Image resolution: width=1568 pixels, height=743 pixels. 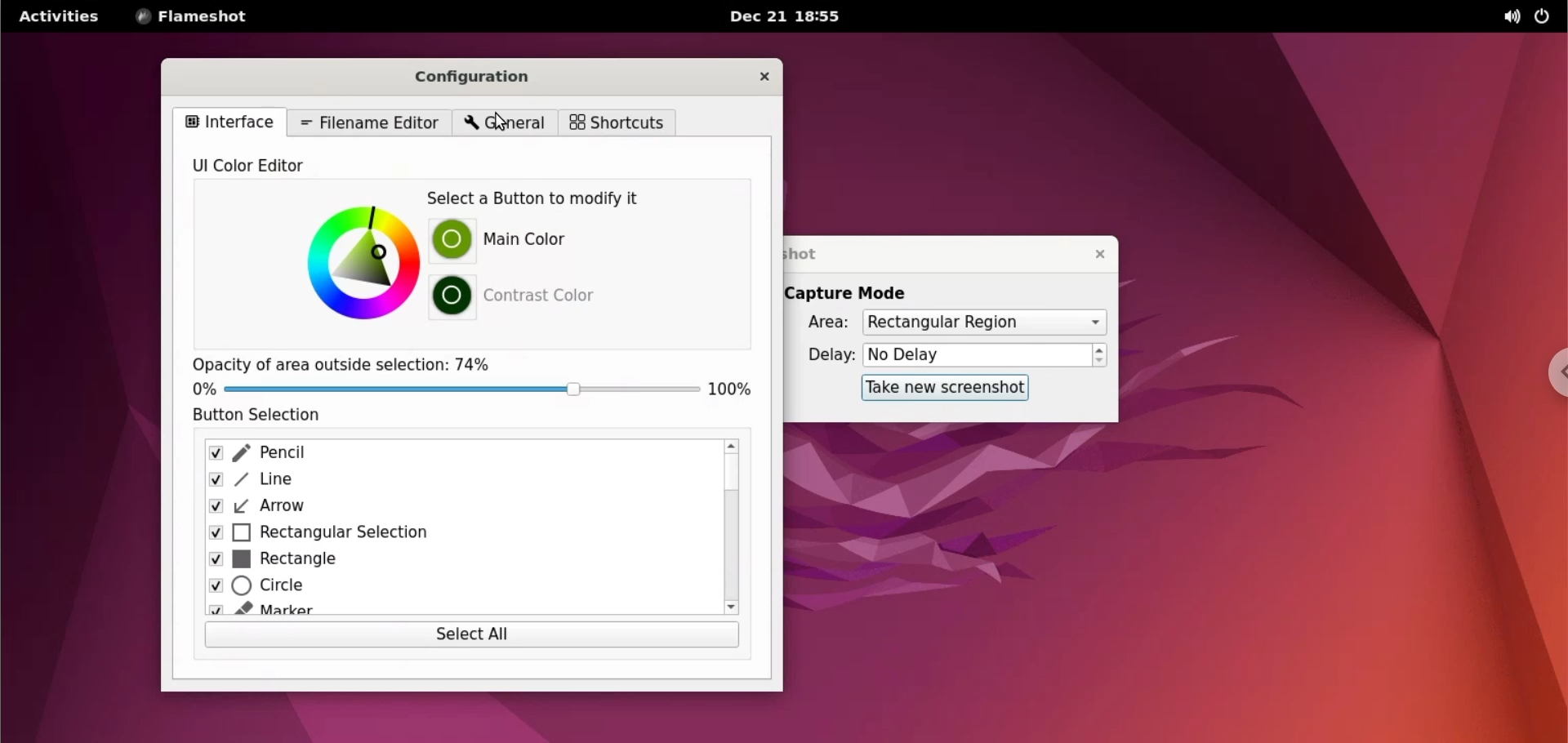 I want to click on FLAMESHOT, so click(x=204, y=18).